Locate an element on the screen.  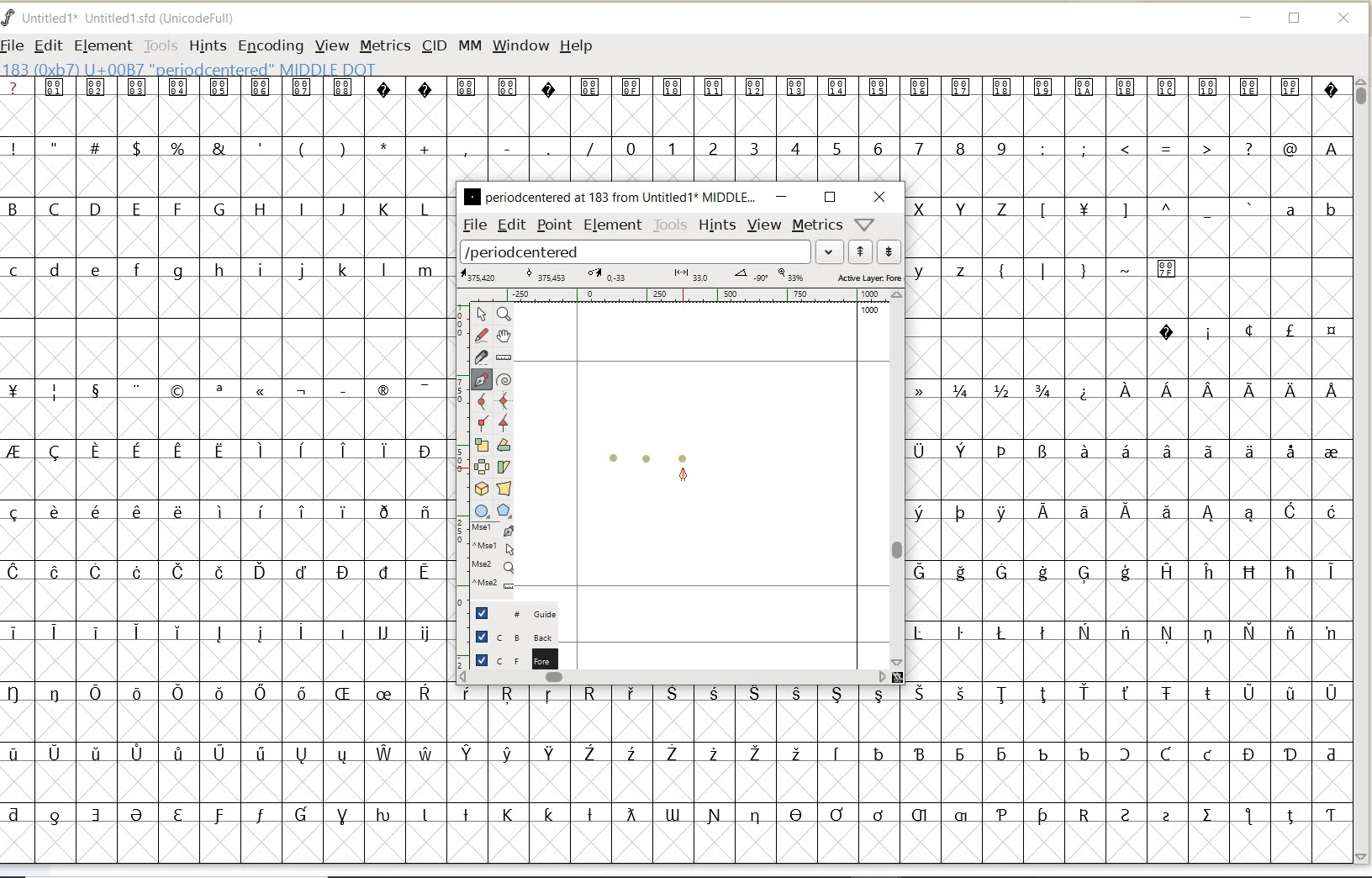
add a point, then drag out its control points is located at coordinates (482, 378).